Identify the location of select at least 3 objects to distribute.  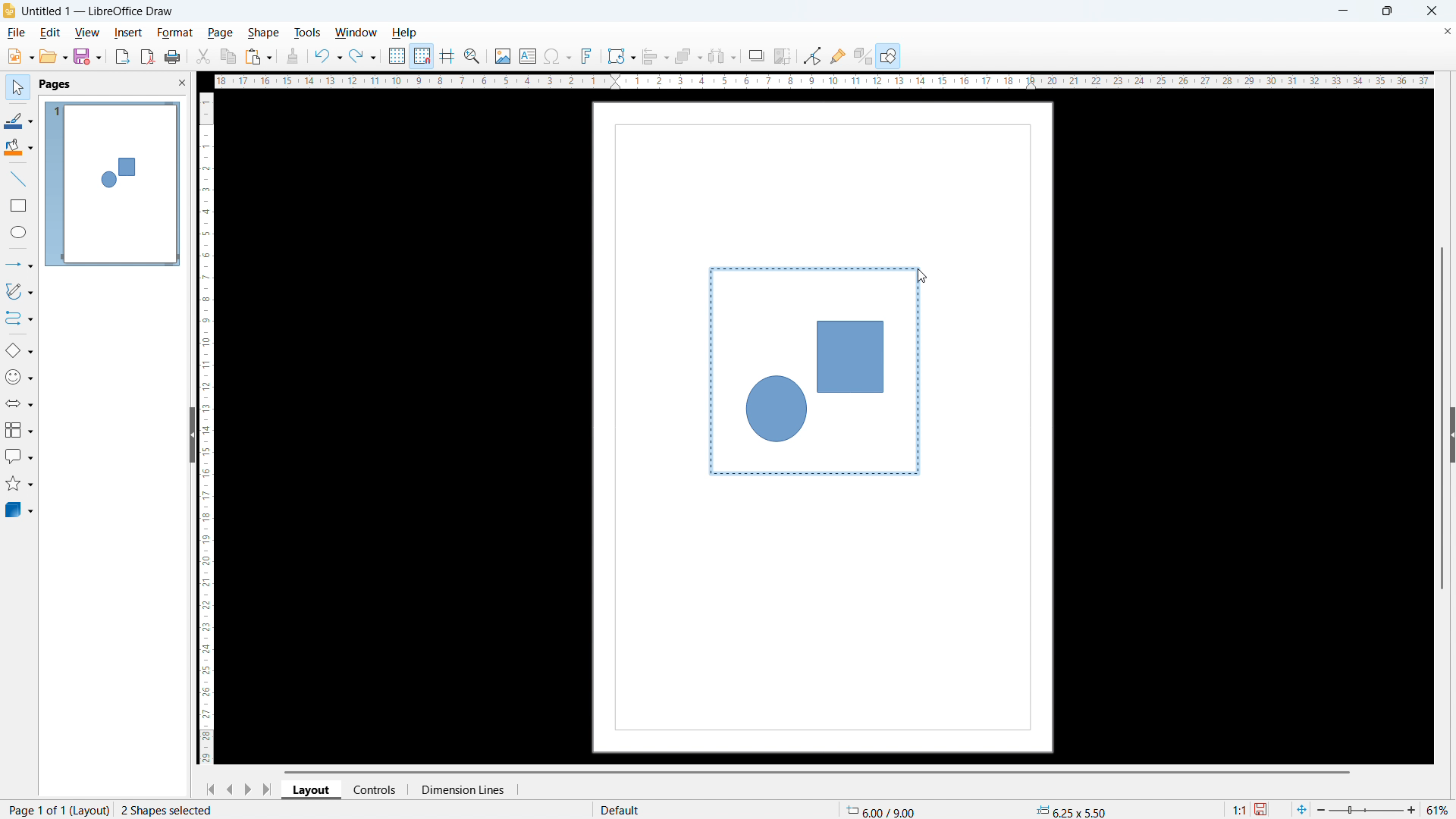
(723, 55).